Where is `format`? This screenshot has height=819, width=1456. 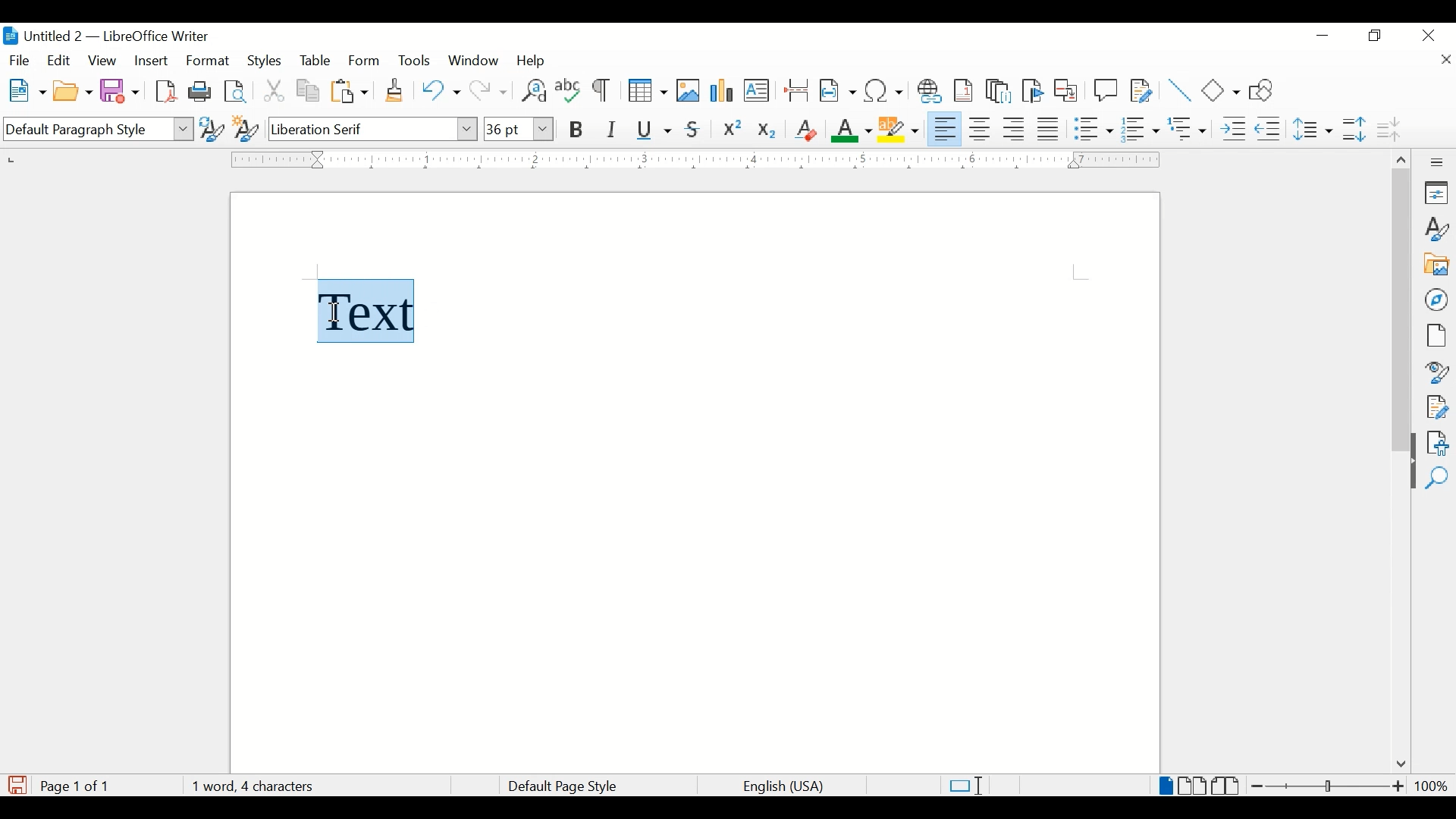 format is located at coordinates (209, 61).